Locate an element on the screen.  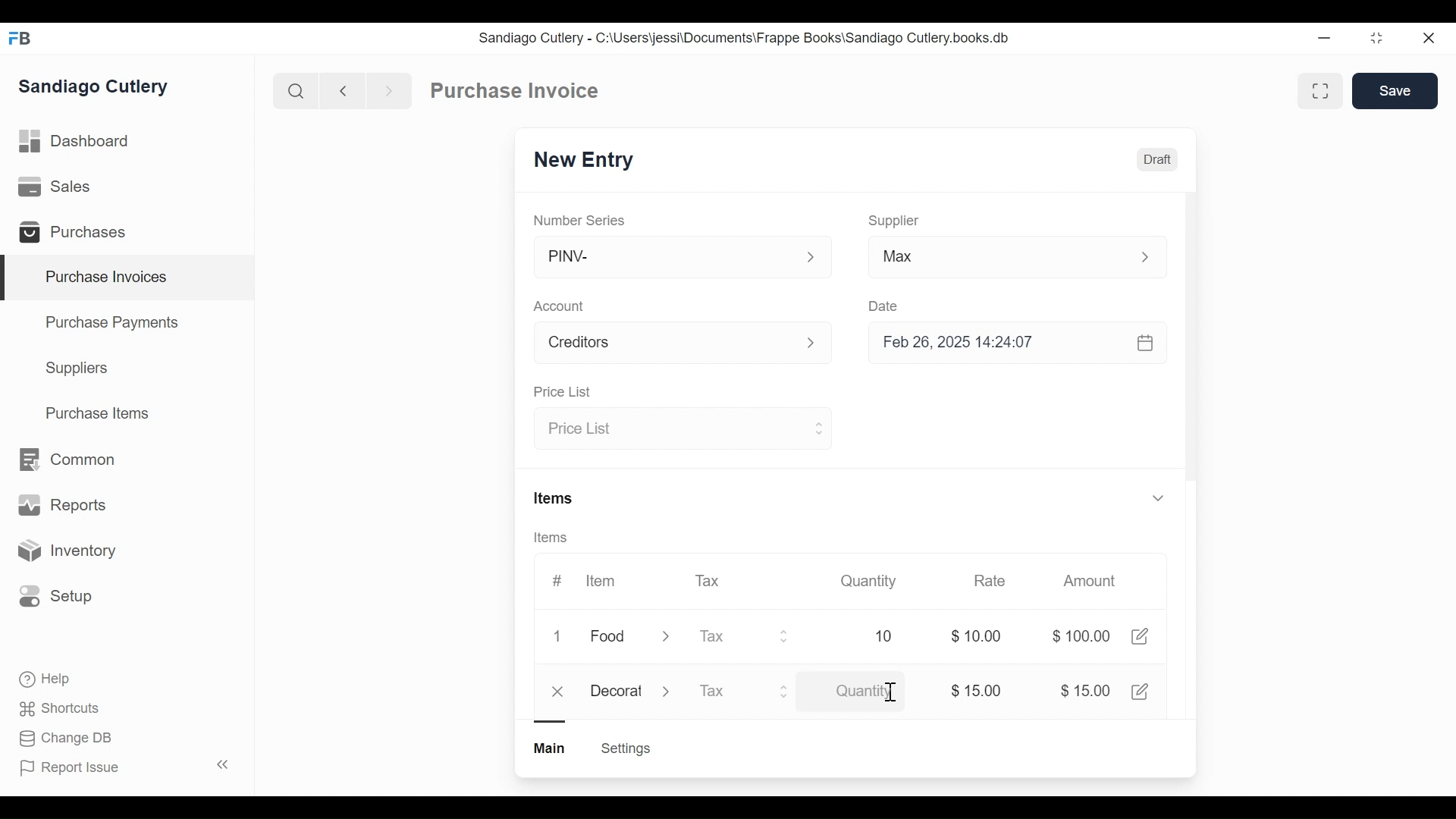
Tax is located at coordinates (728, 692).